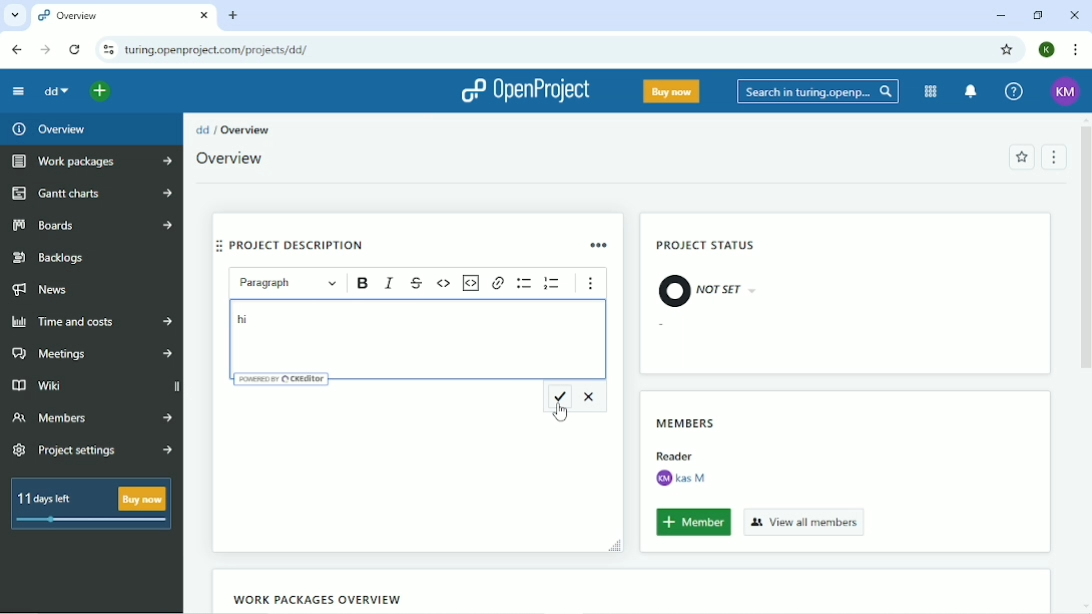 The width and height of the screenshot is (1092, 614). I want to click on Members, so click(91, 417).